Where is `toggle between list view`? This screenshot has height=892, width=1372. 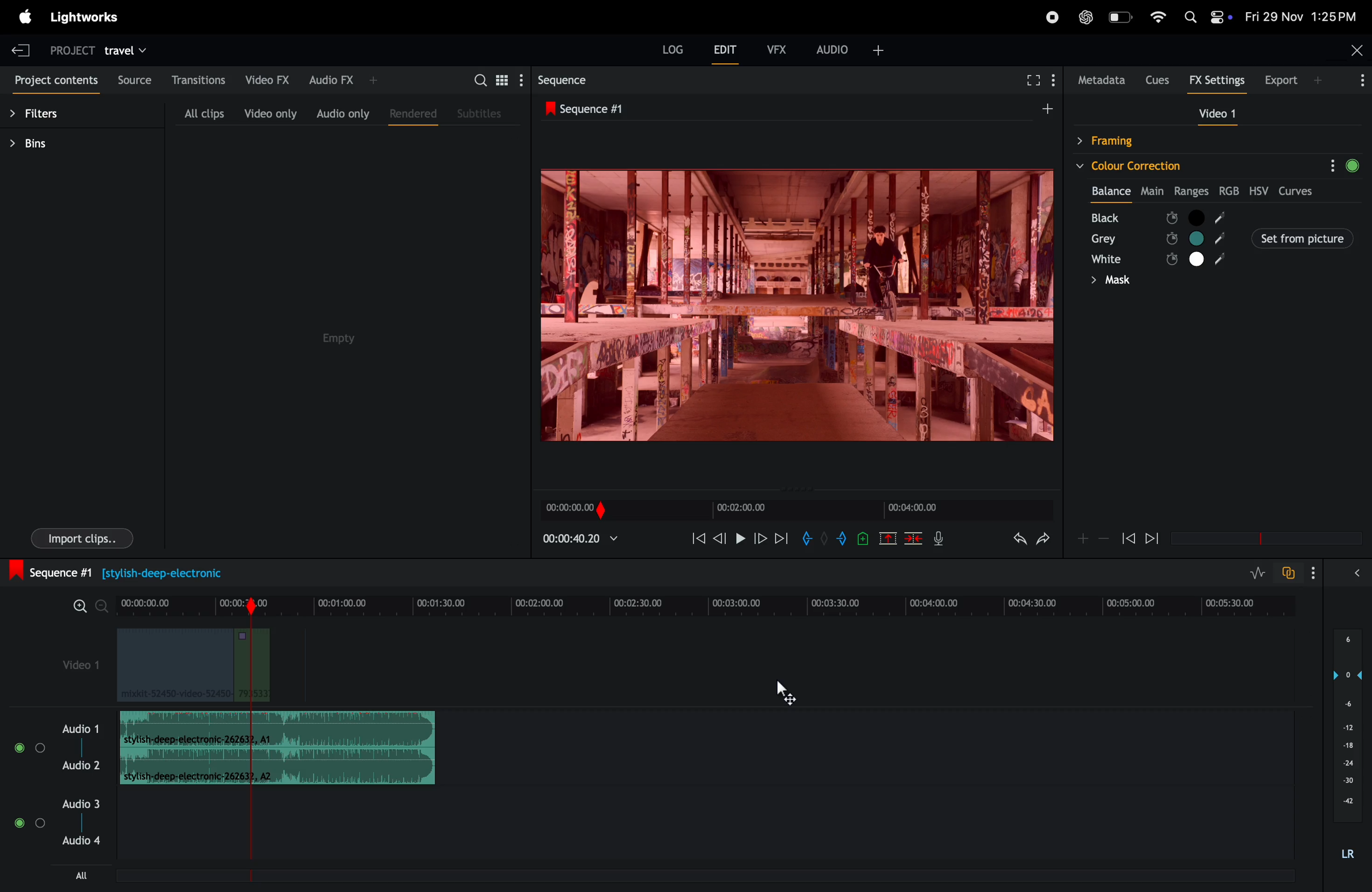
toggle between list view is located at coordinates (504, 80).